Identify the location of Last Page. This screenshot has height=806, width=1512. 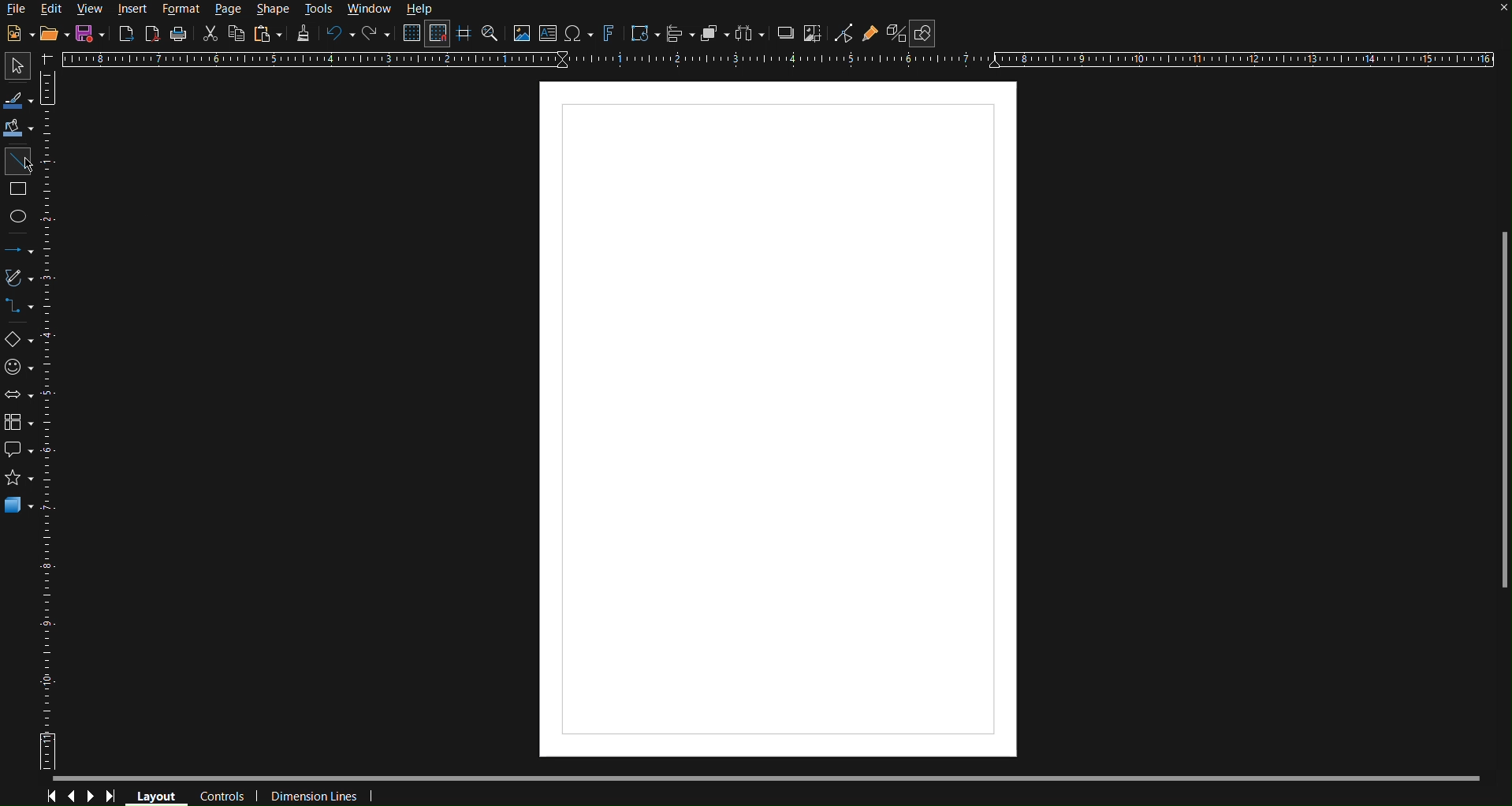
(115, 796).